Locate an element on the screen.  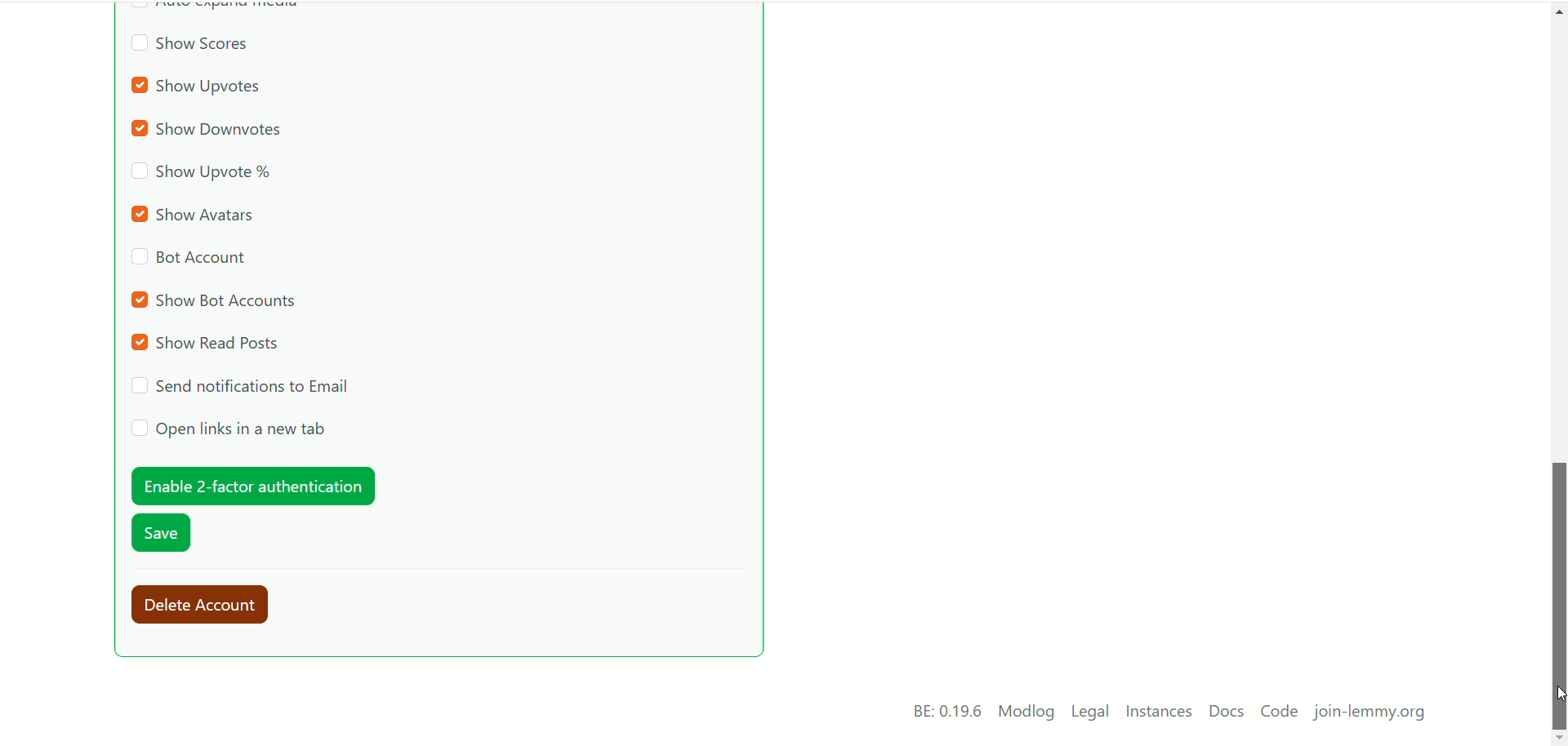
vertical scroll bar is located at coordinates (1558, 367).